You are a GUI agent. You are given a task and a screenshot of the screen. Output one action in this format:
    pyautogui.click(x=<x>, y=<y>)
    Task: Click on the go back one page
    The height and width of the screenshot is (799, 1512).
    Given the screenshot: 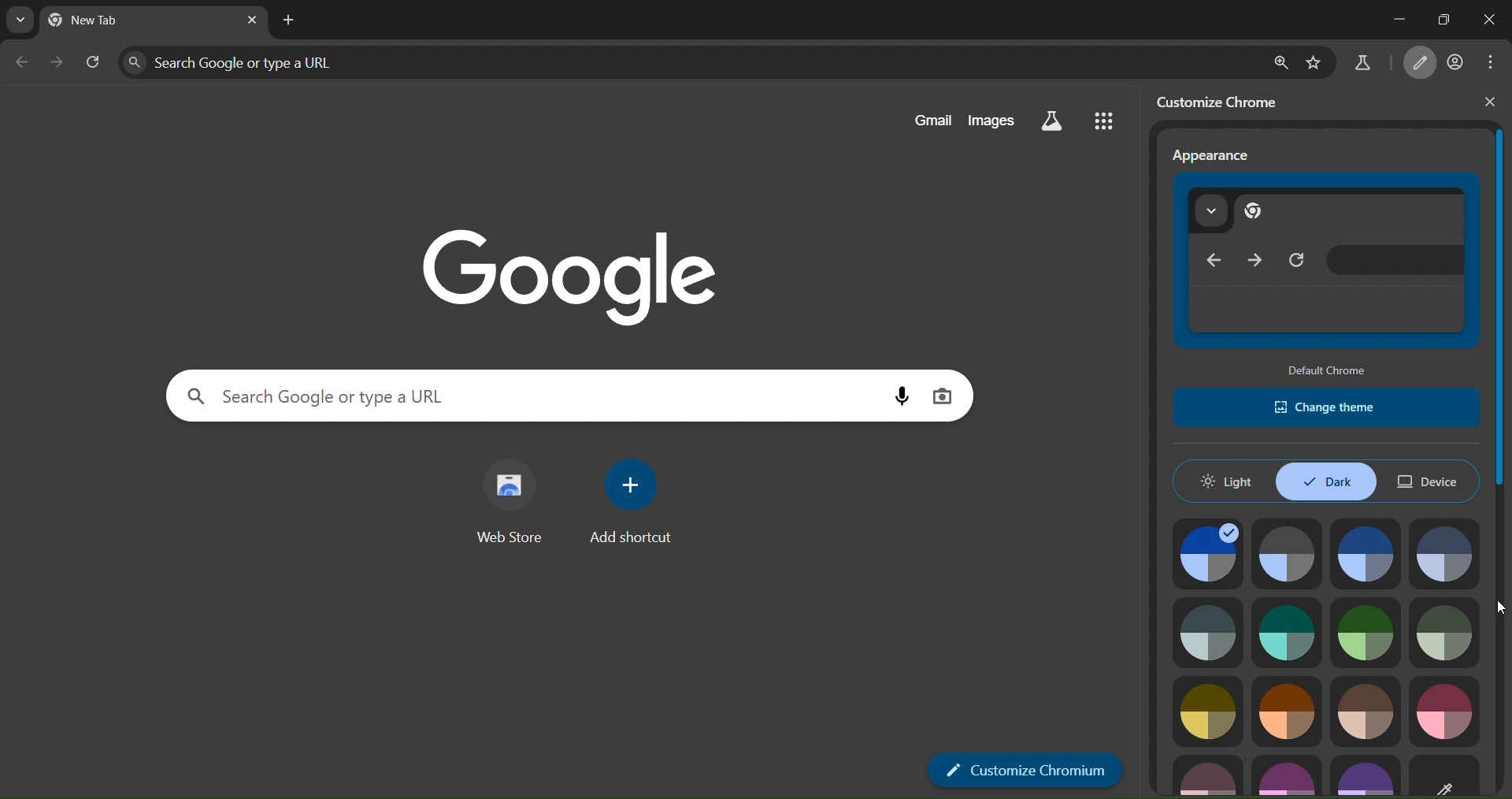 What is the action you would take?
    pyautogui.click(x=22, y=61)
    